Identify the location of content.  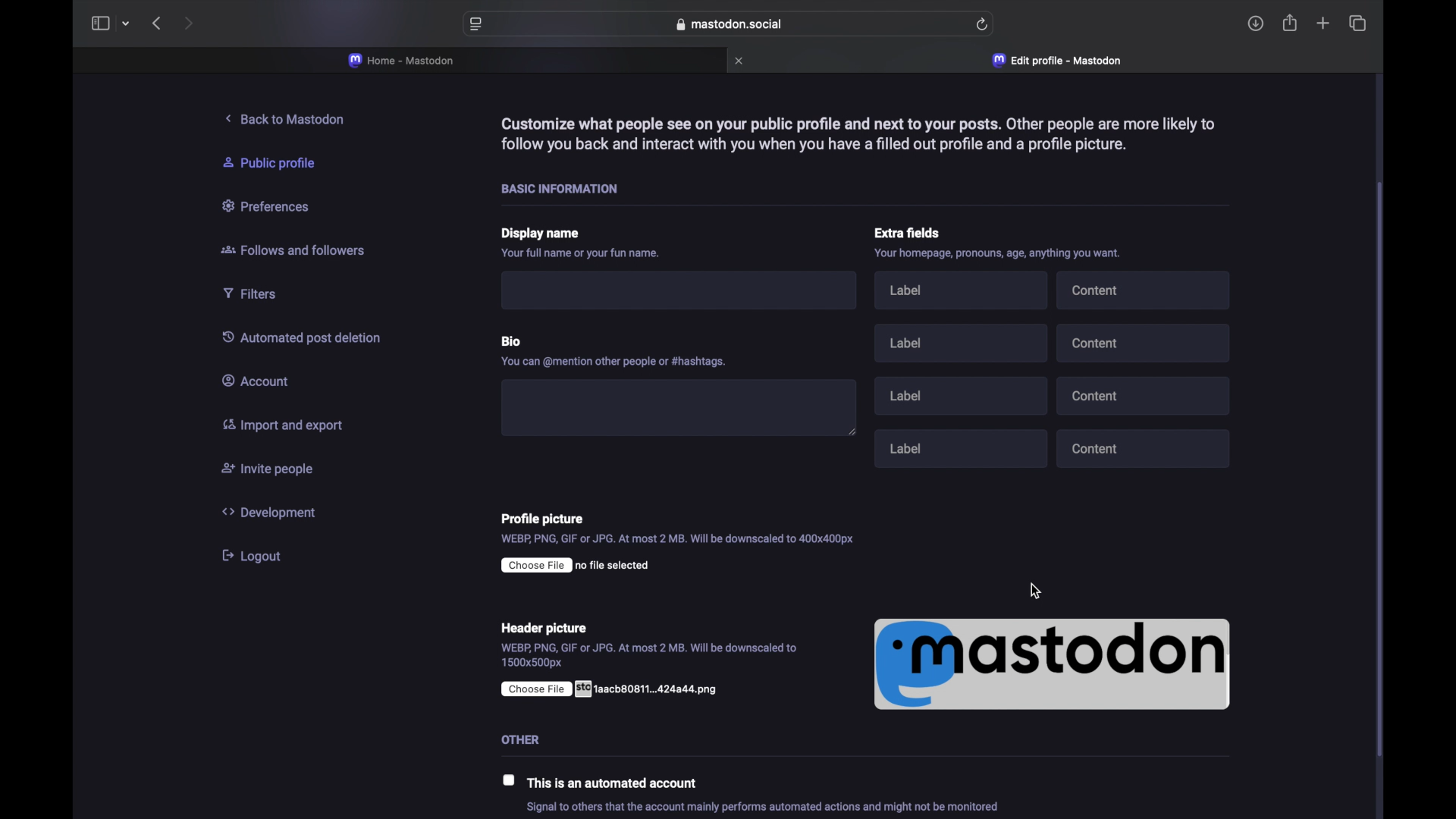
(1146, 342).